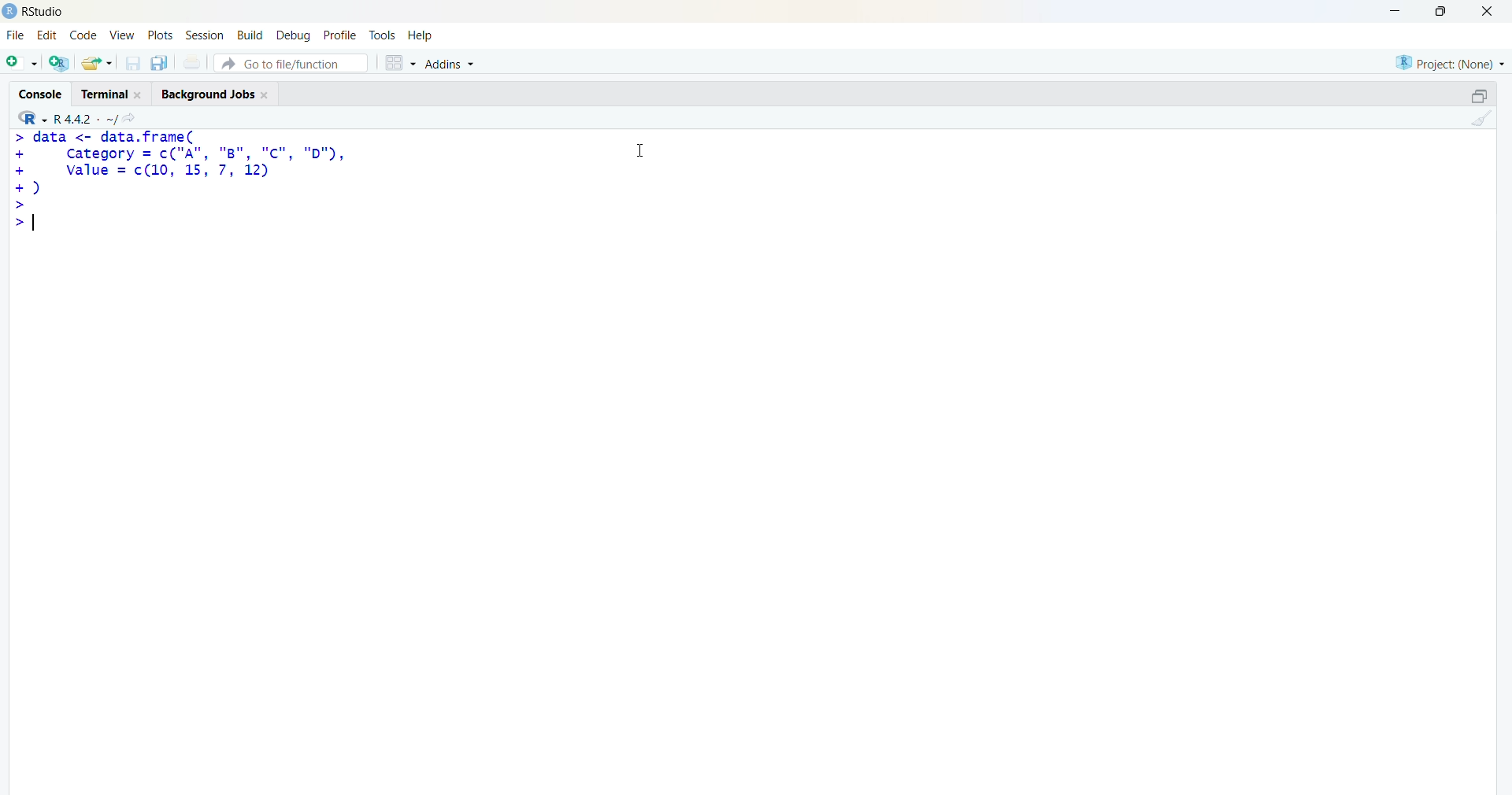 The height and width of the screenshot is (795, 1512). I want to click on debug, so click(294, 35).